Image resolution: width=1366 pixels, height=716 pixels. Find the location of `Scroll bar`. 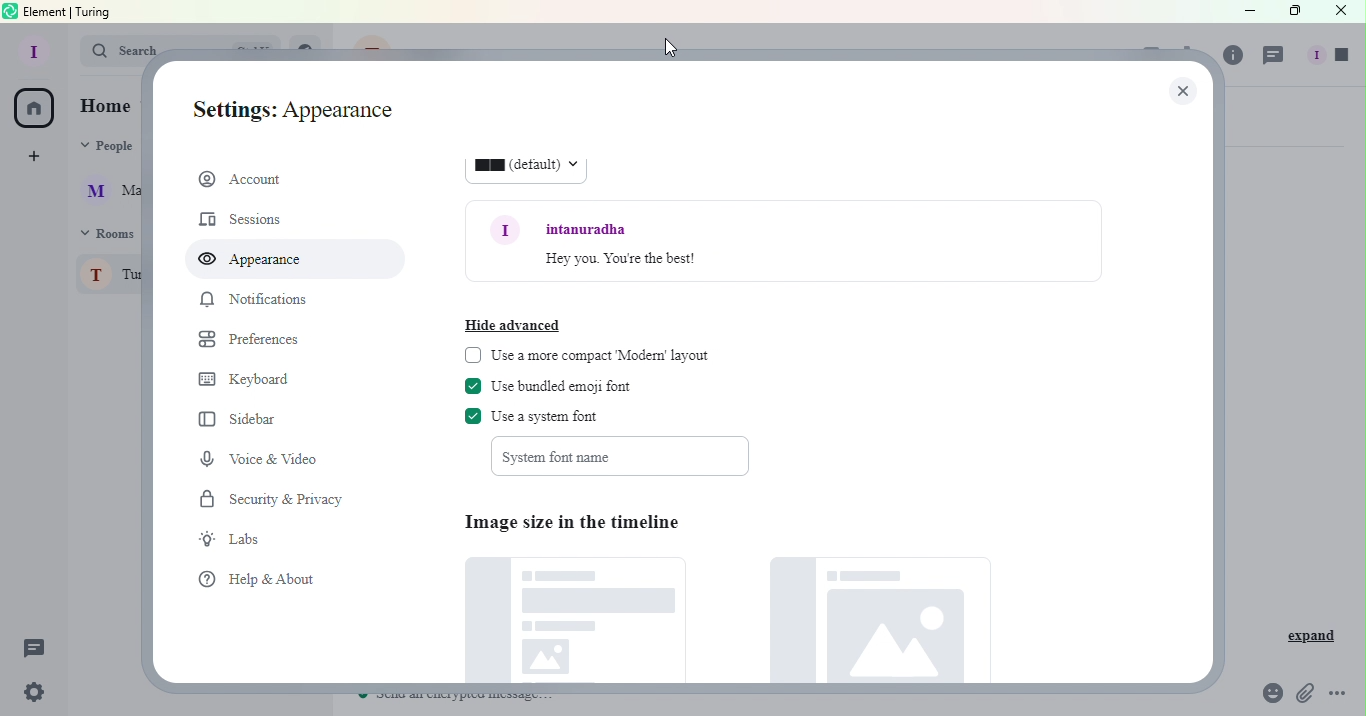

Scroll bar is located at coordinates (1209, 389).